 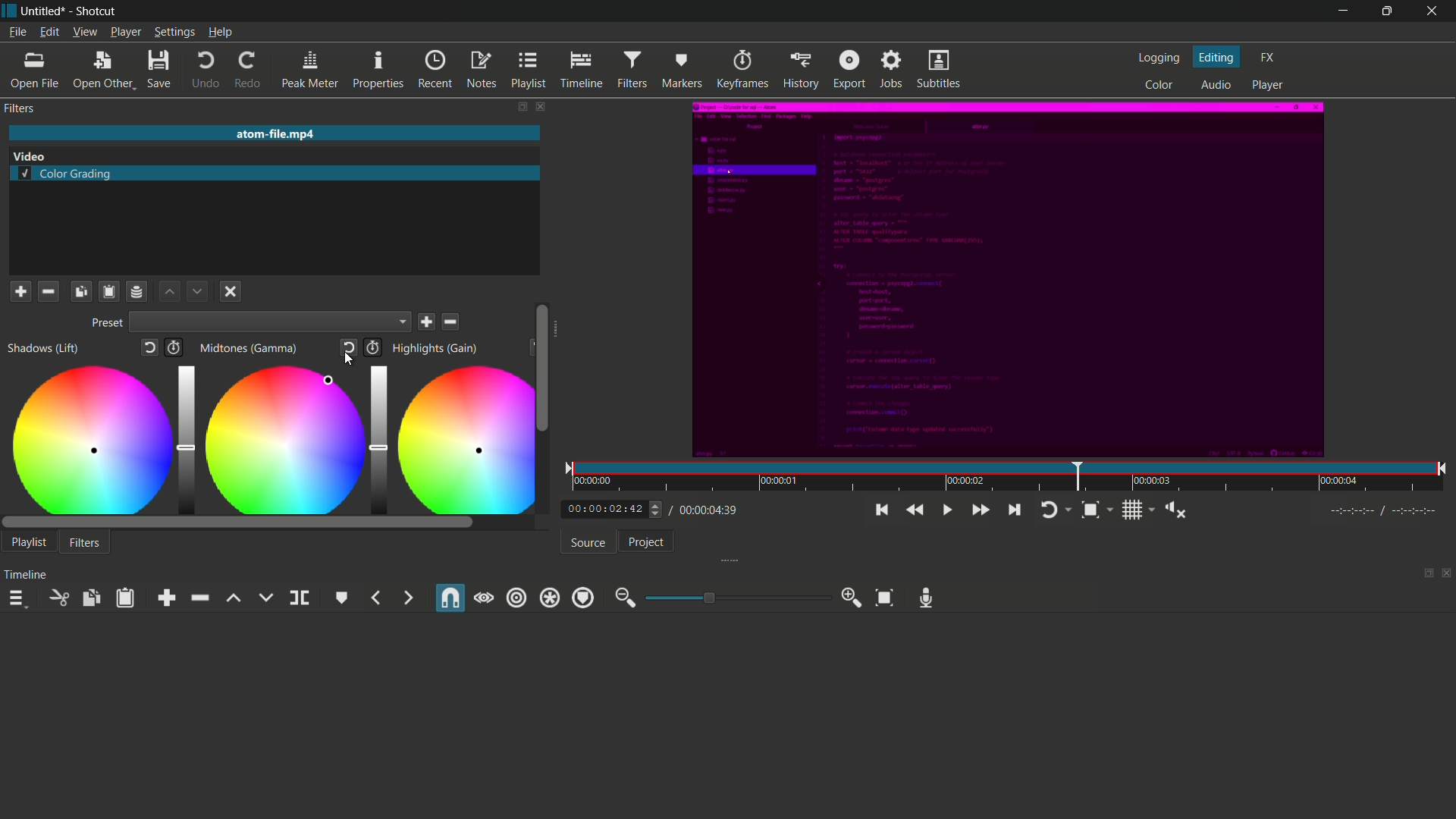 I want to click on snap, so click(x=448, y=599).